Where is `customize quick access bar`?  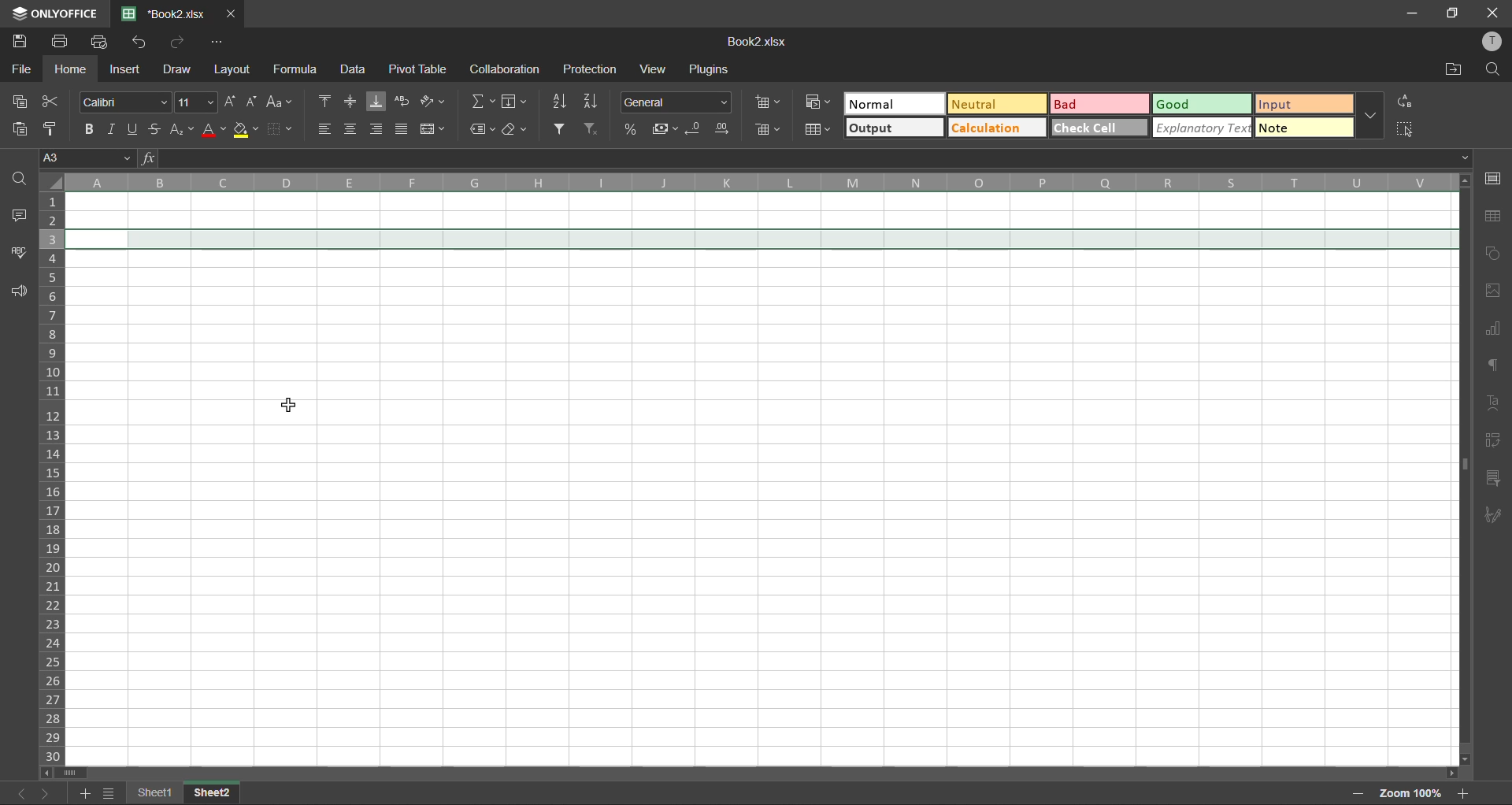
customize quick access bar is located at coordinates (217, 43).